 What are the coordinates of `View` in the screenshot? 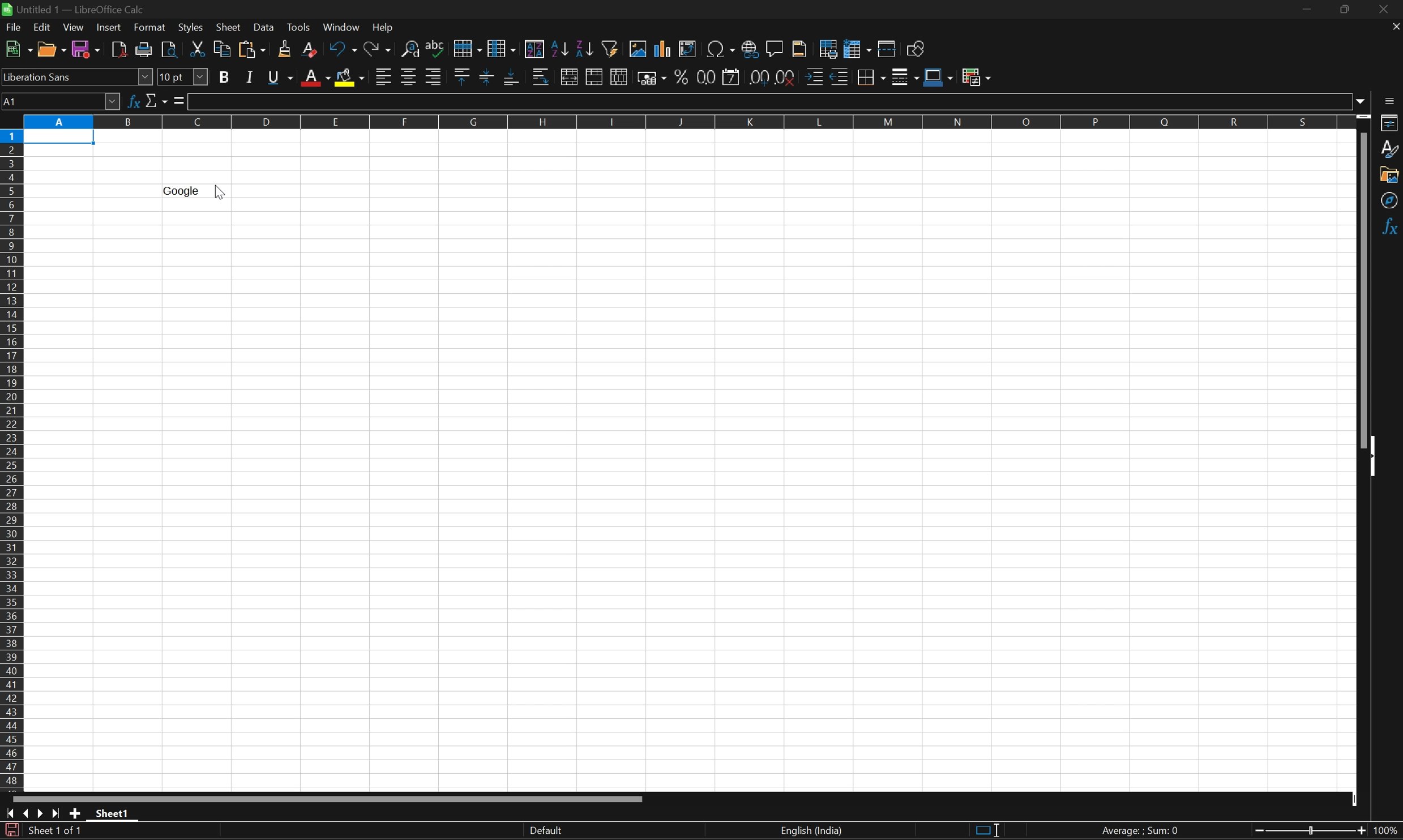 It's located at (73, 28).